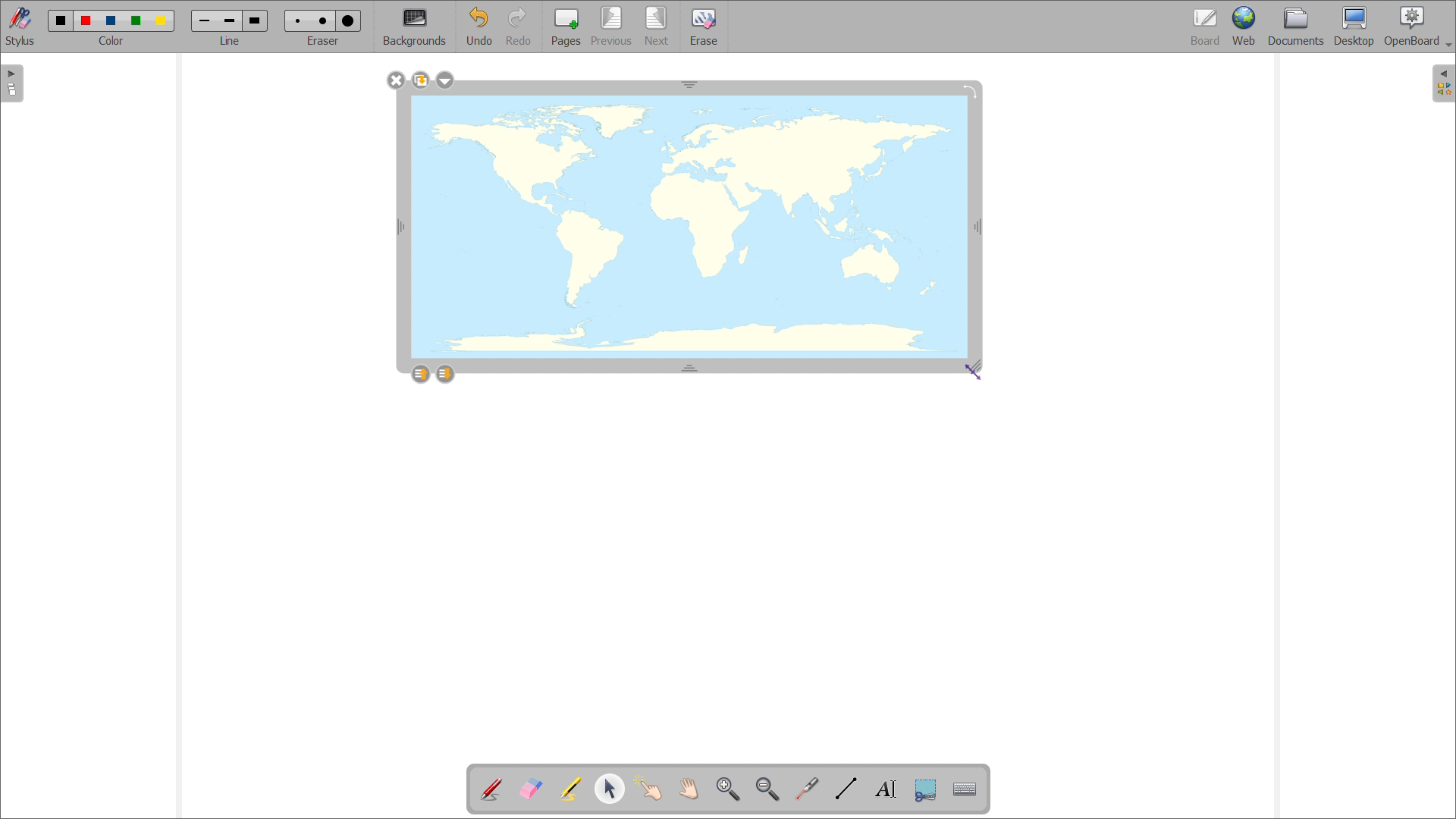  What do you see at coordinates (400, 227) in the screenshot?
I see `resize` at bounding box center [400, 227].